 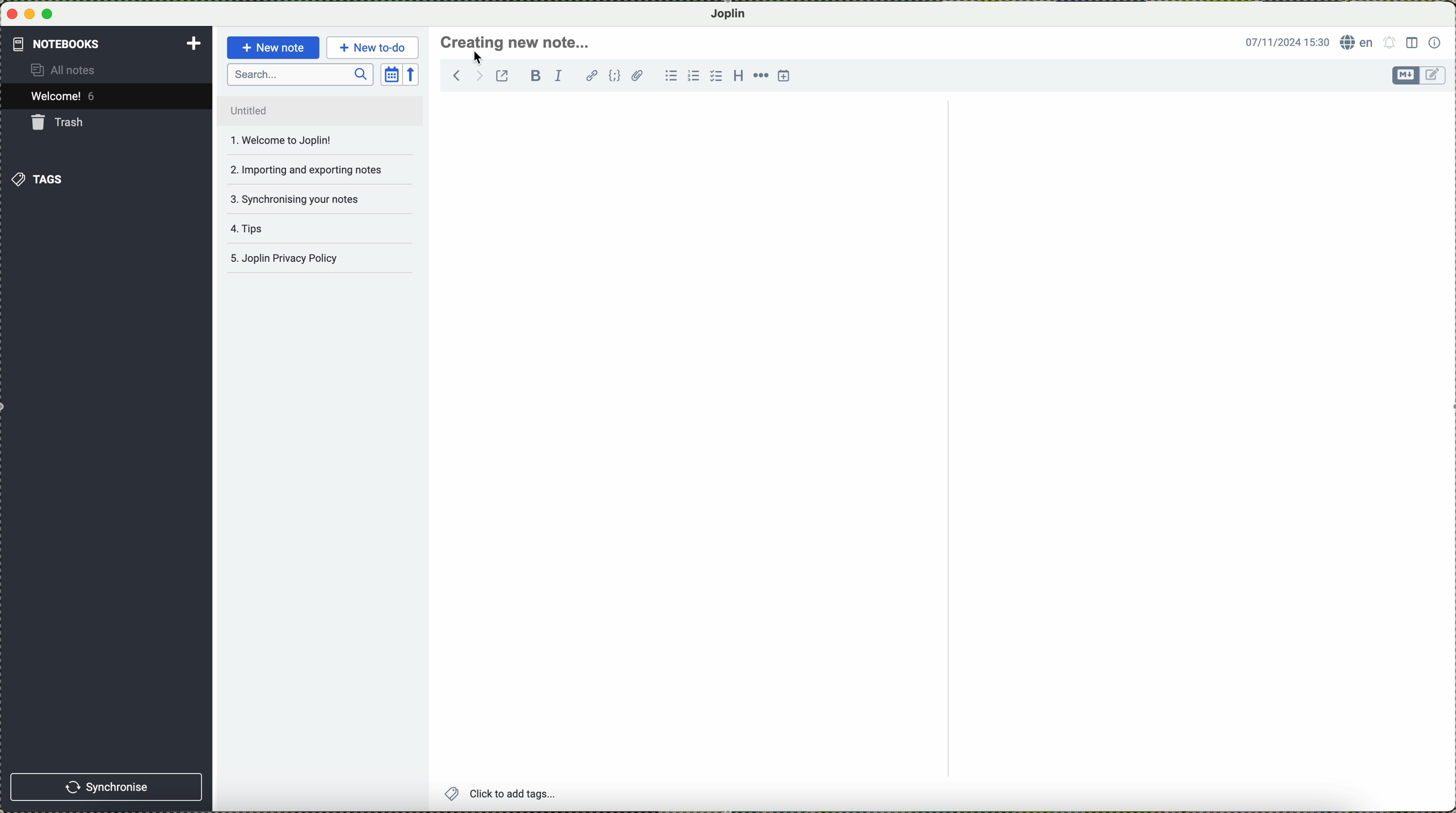 I want to click on reverse sort order, so click(x=414, y=73).